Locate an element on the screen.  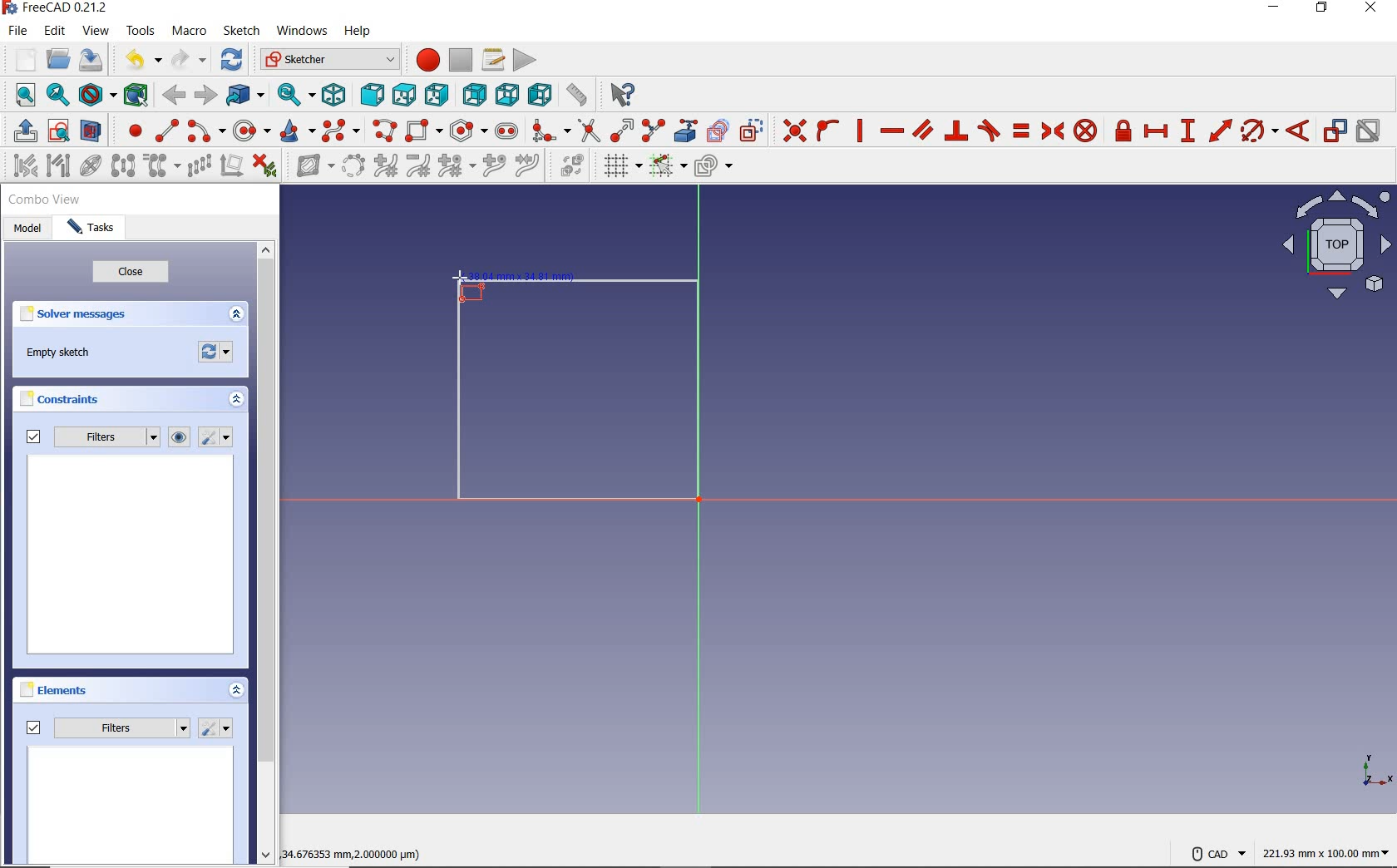
split edge is located at coordinates (653, 131).